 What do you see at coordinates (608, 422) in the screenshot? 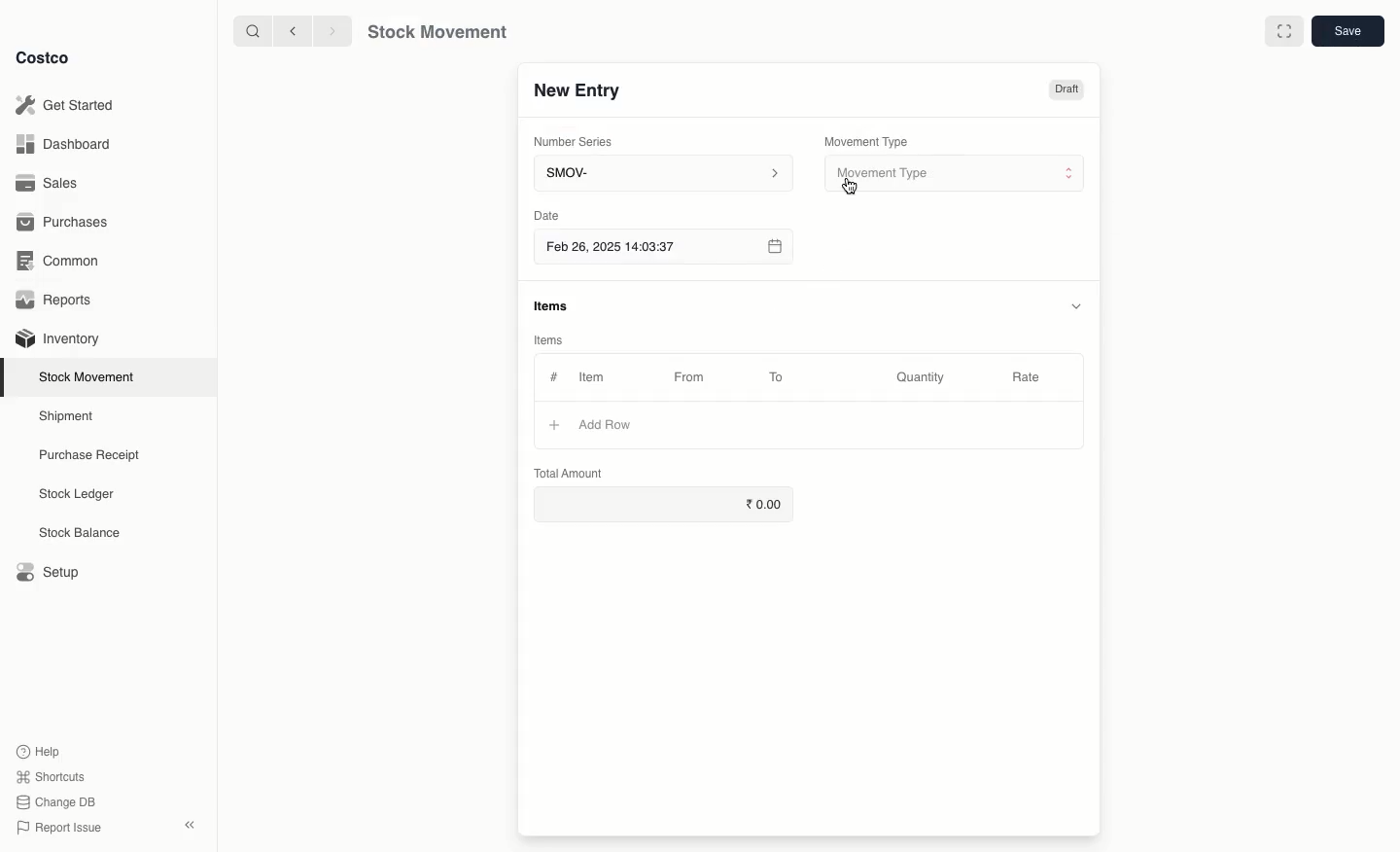
I see `Add Row` at bounding box center [608, 422].